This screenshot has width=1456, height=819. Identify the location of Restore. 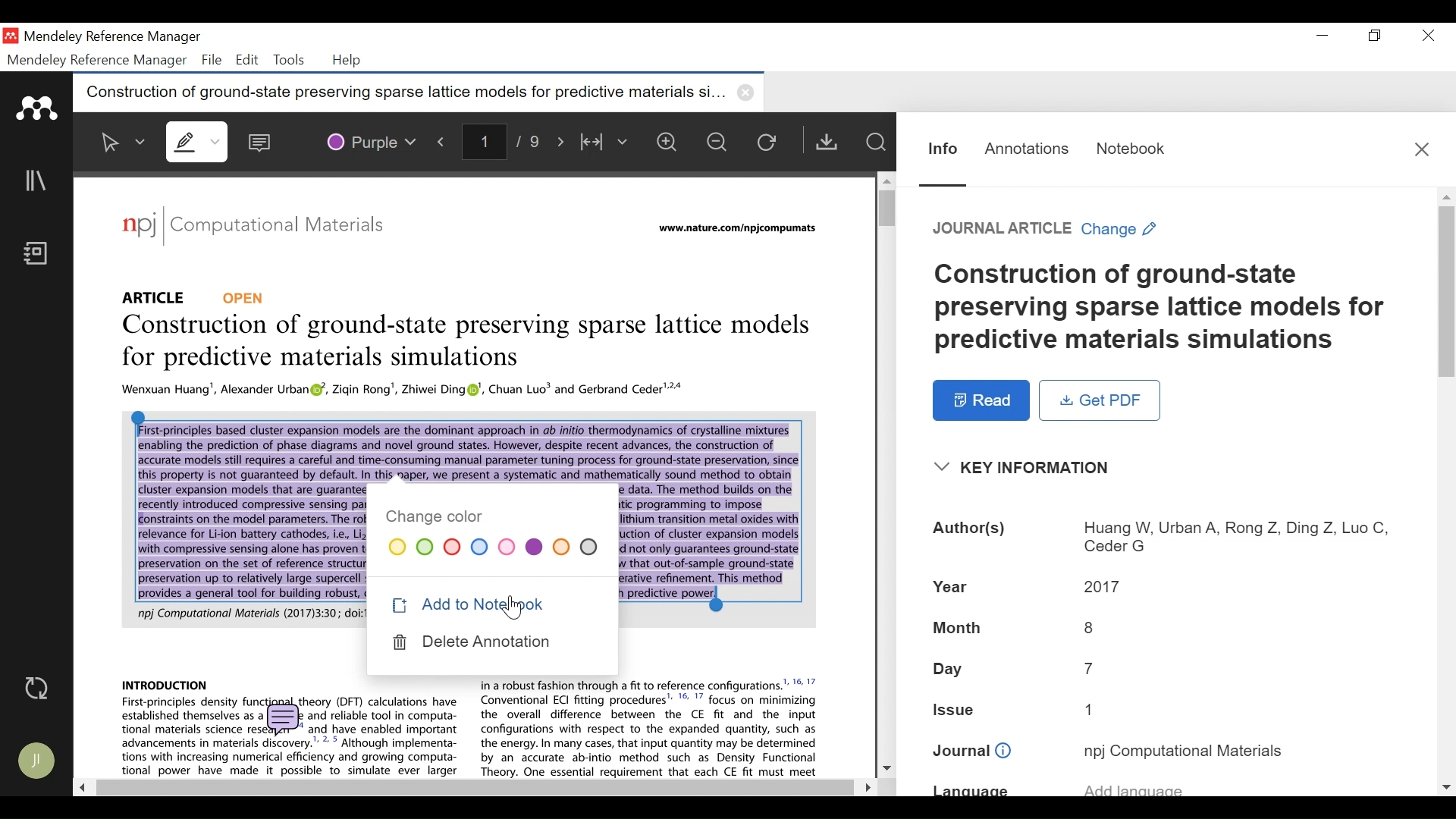
(1376, 36).